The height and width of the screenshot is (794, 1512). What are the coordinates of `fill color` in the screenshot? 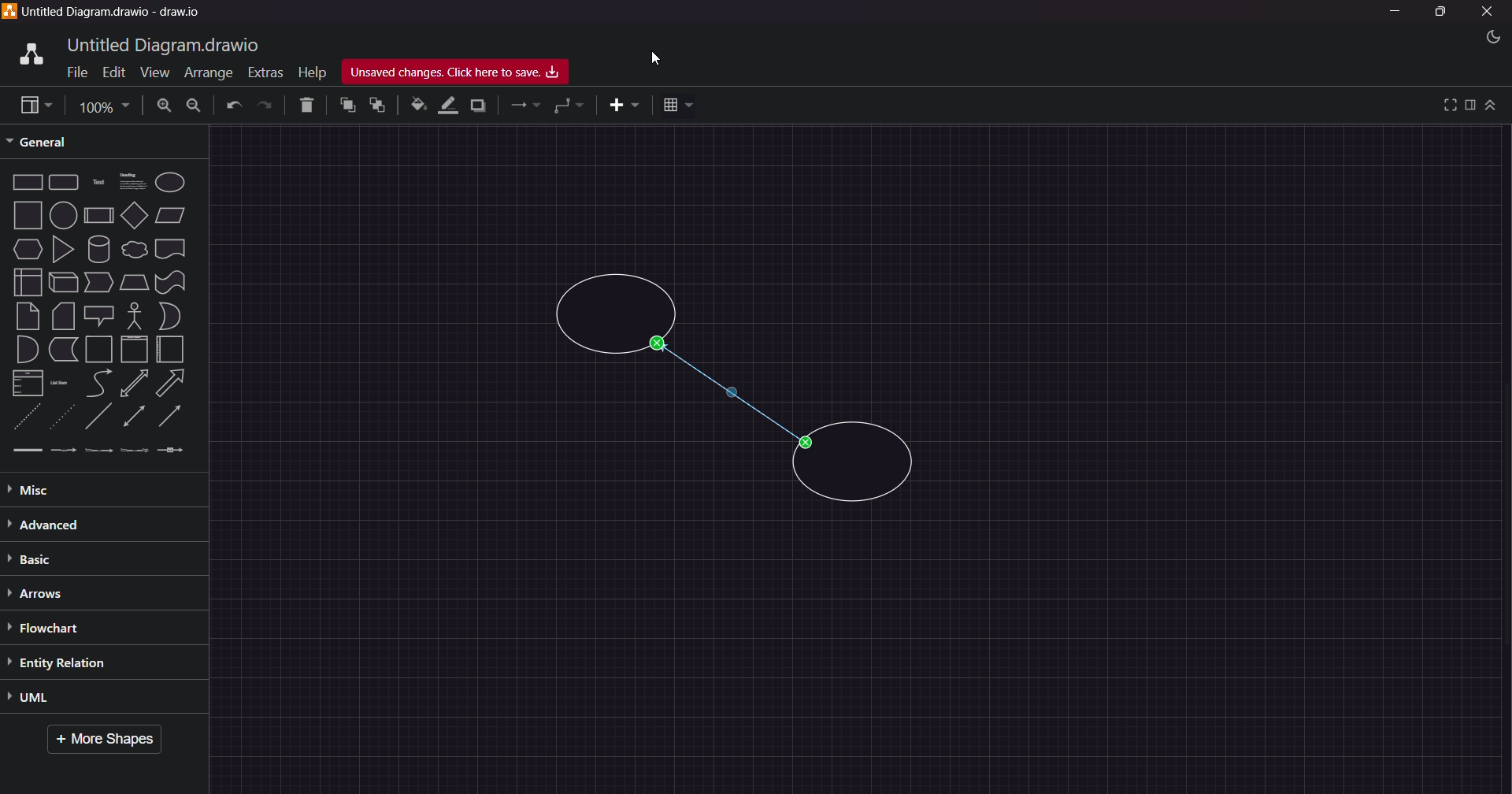 It's located at (417, 105).